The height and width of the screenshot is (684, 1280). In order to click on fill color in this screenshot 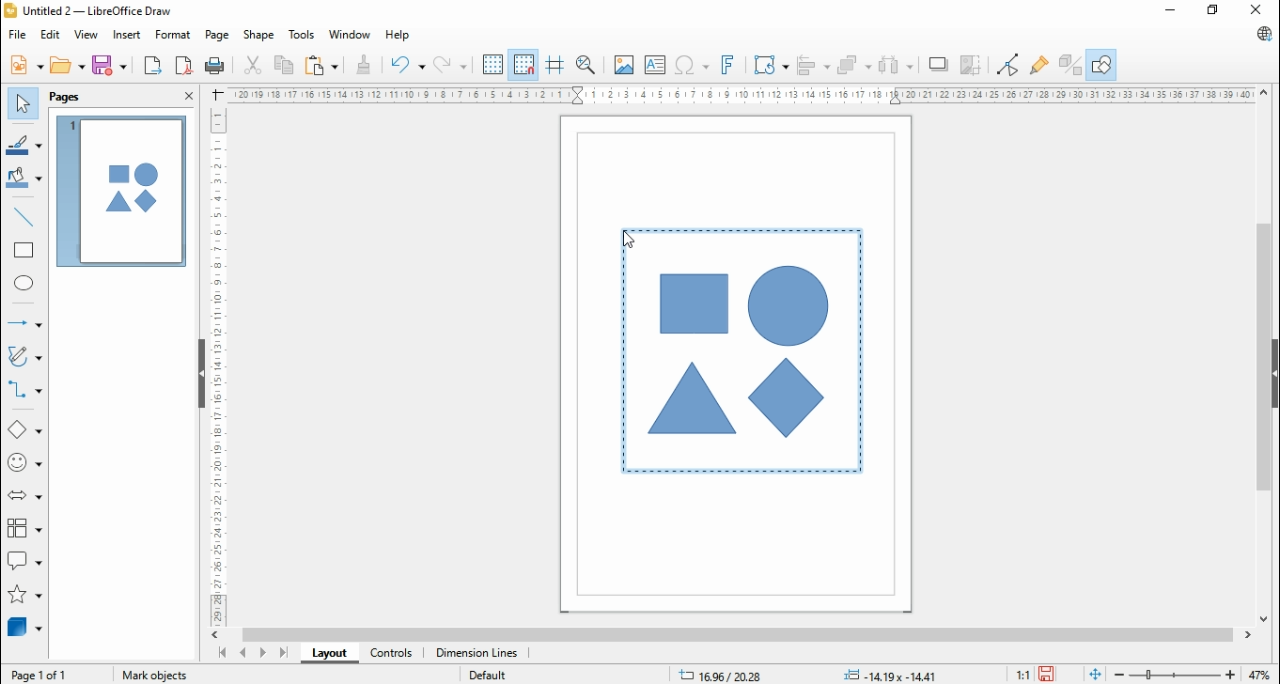, I will do `click(24, 178)`.